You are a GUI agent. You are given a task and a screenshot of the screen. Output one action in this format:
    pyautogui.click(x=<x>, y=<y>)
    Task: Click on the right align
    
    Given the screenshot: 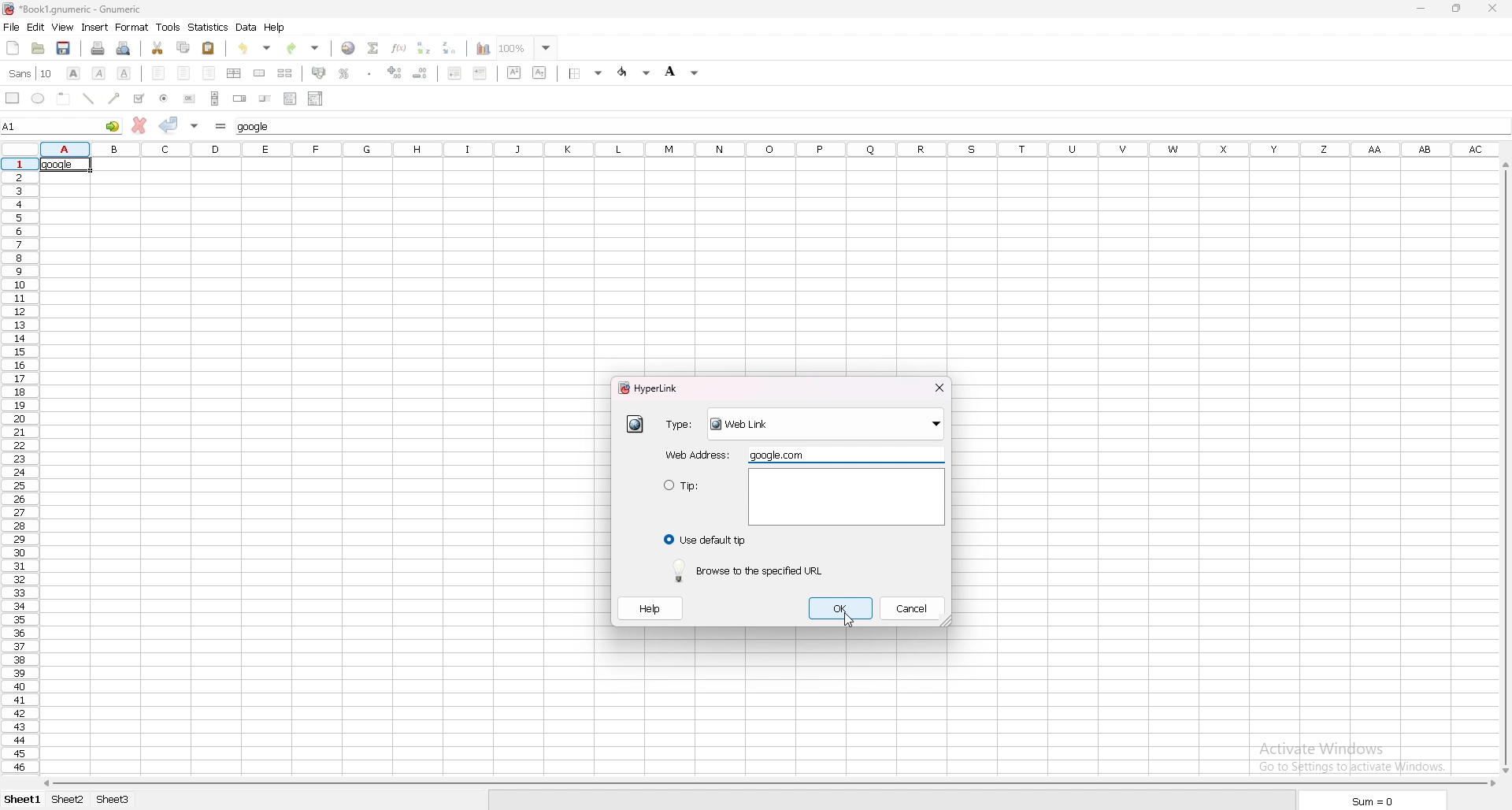 What is the action you would take?
    pyautogui.click(x=208, y=72)
    